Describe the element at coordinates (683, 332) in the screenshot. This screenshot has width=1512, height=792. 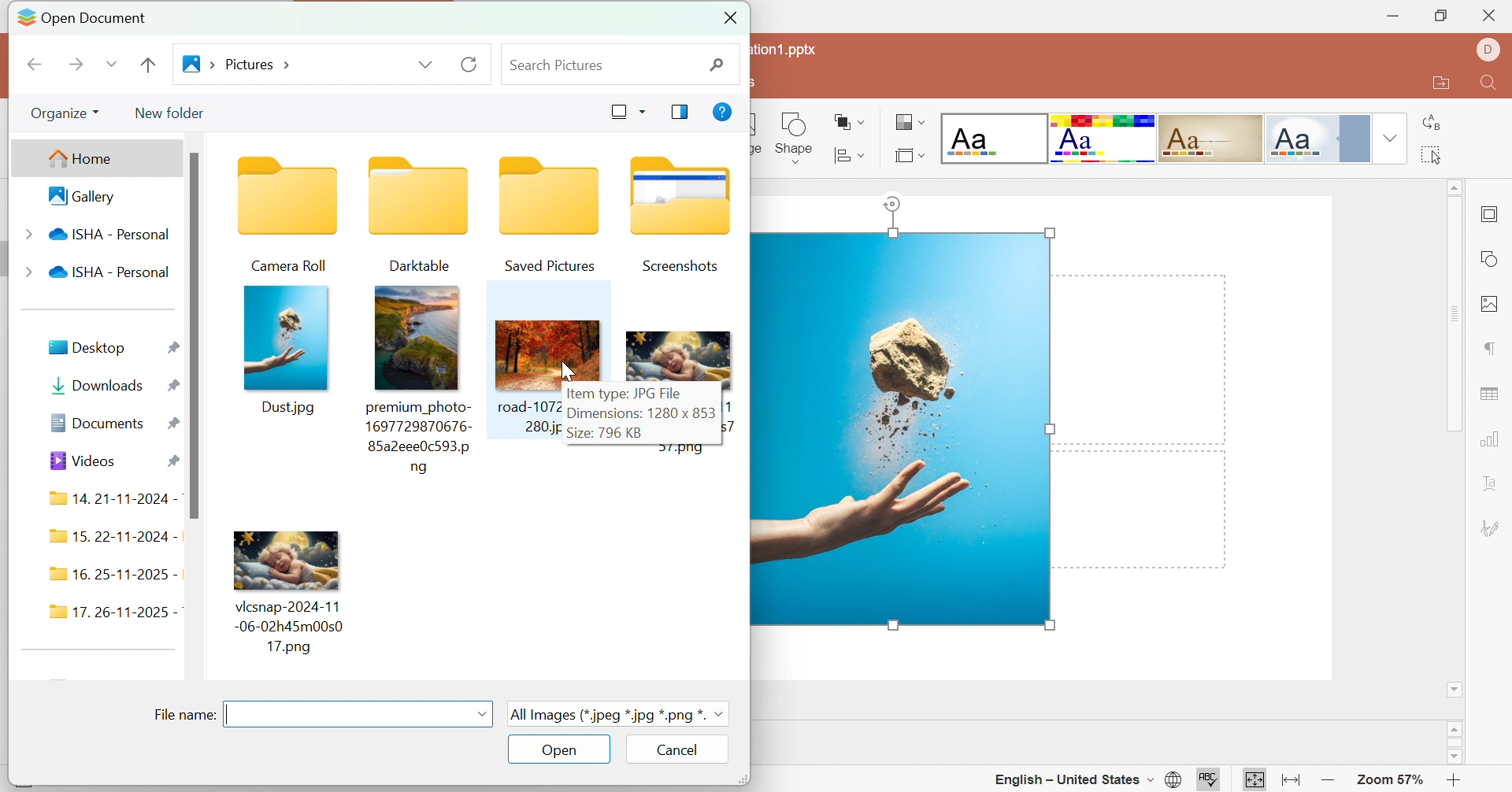
I see `Image` at that location.